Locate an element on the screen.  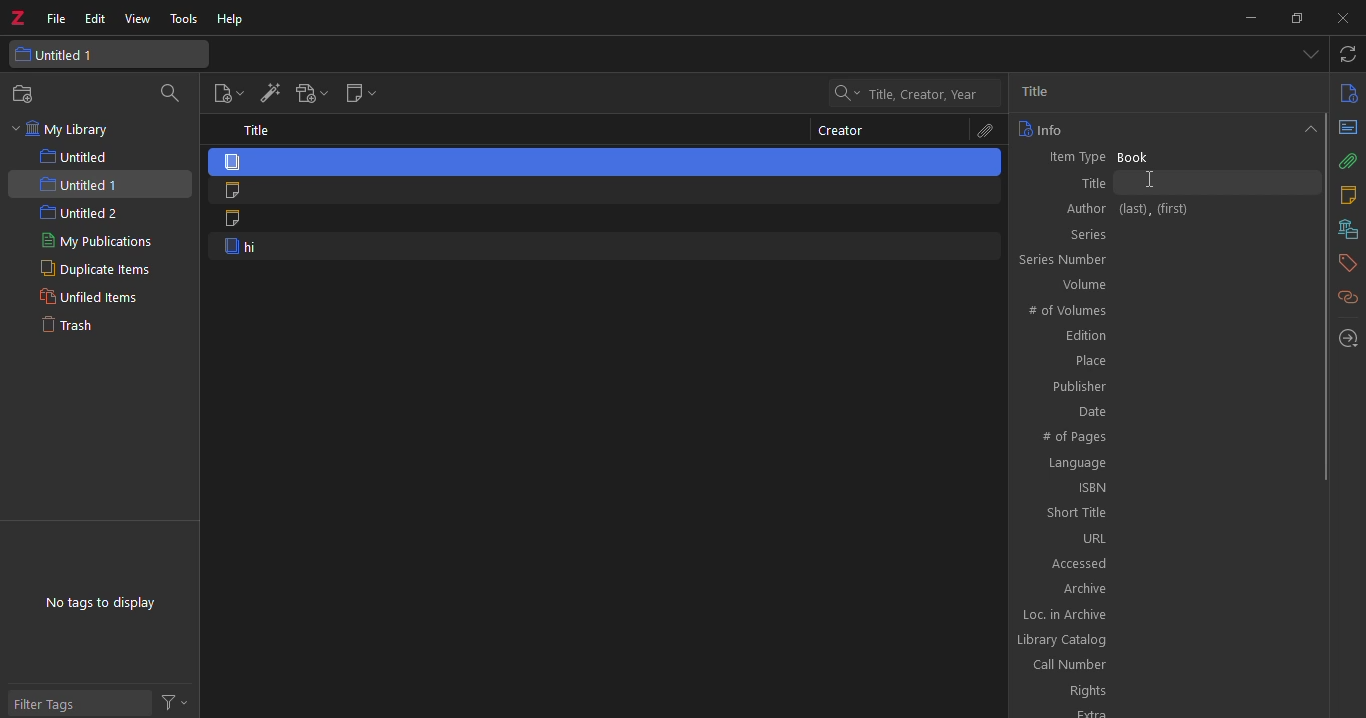
minimize is located at coordinates (1250, 17).